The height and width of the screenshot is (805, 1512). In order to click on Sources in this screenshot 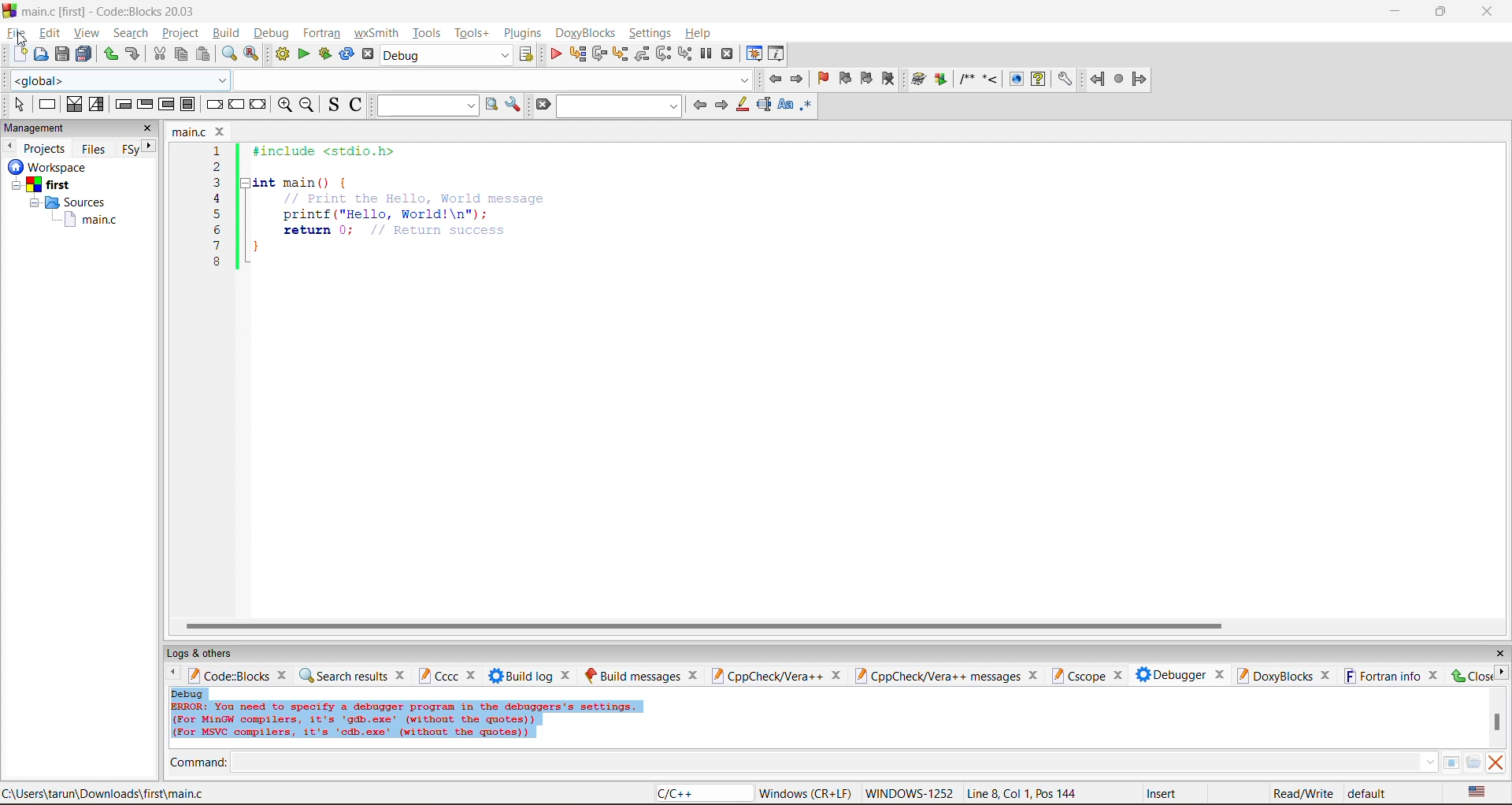, I will do `click(72, 202)`.